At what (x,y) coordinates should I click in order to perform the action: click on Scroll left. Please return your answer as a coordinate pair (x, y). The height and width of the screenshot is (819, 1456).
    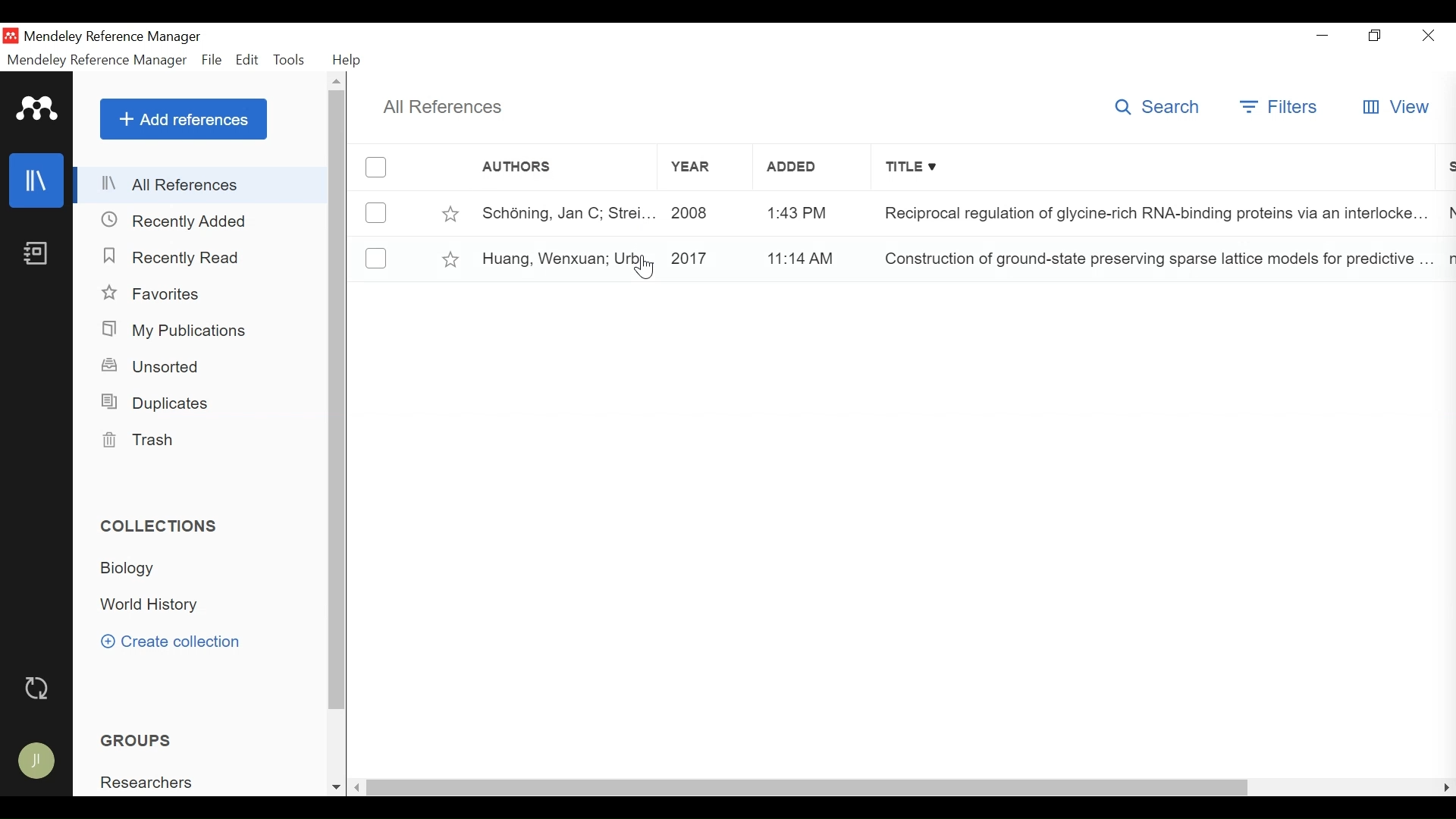
    Looking at the image, I should click on (358, 787).